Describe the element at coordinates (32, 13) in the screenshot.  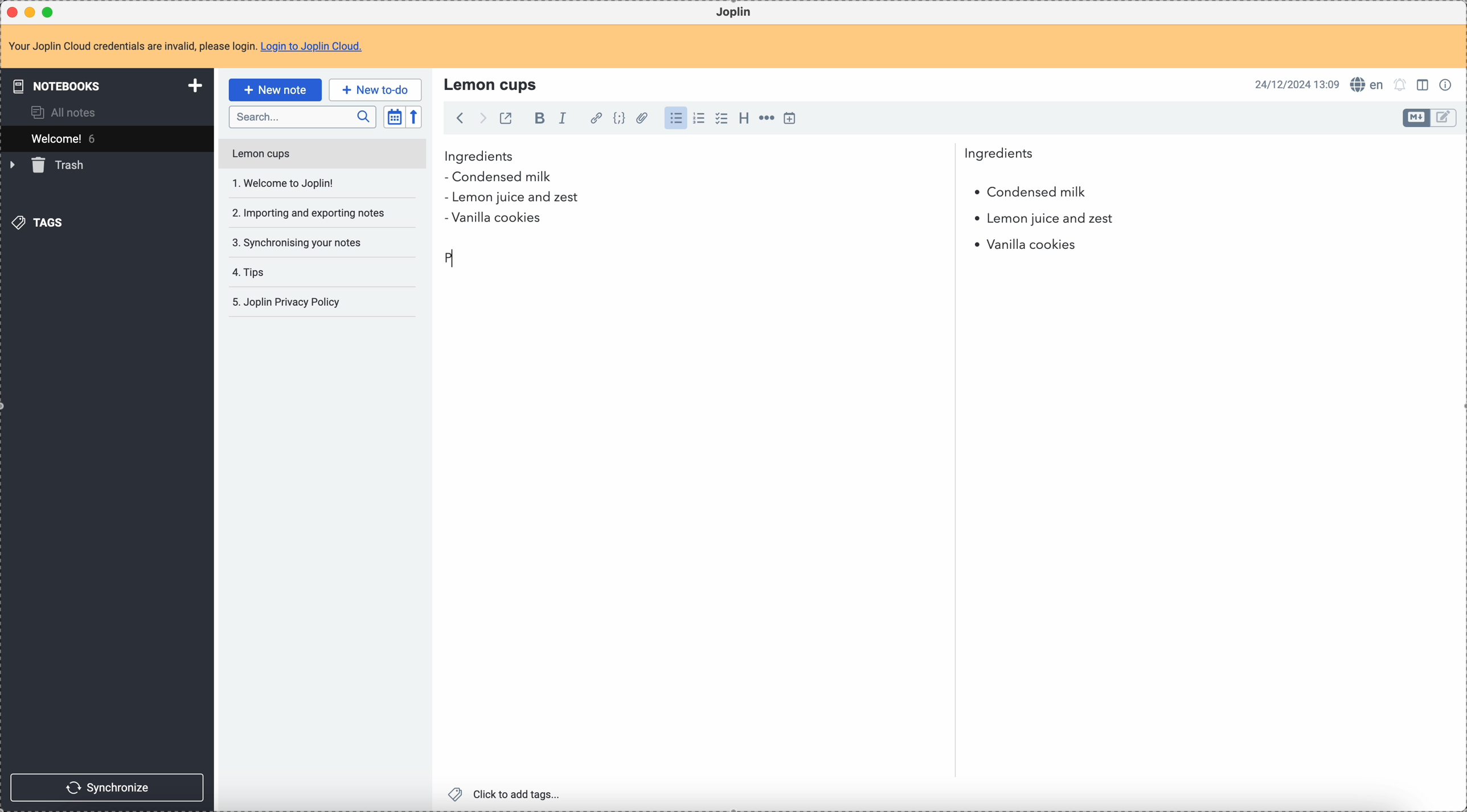
I see `minimize` at that location.